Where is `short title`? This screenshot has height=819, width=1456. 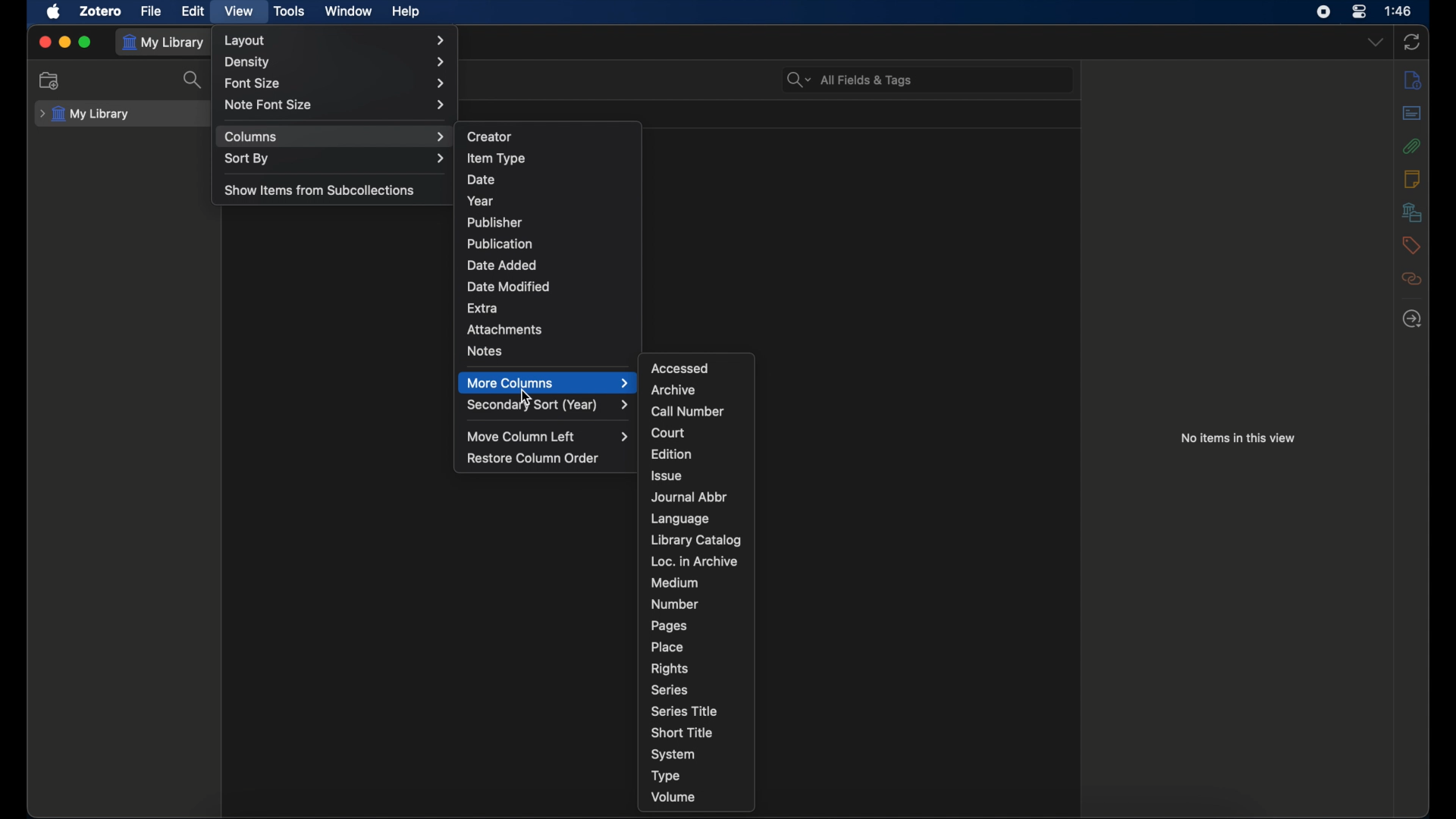
short title is located at coordinates (682, 731).